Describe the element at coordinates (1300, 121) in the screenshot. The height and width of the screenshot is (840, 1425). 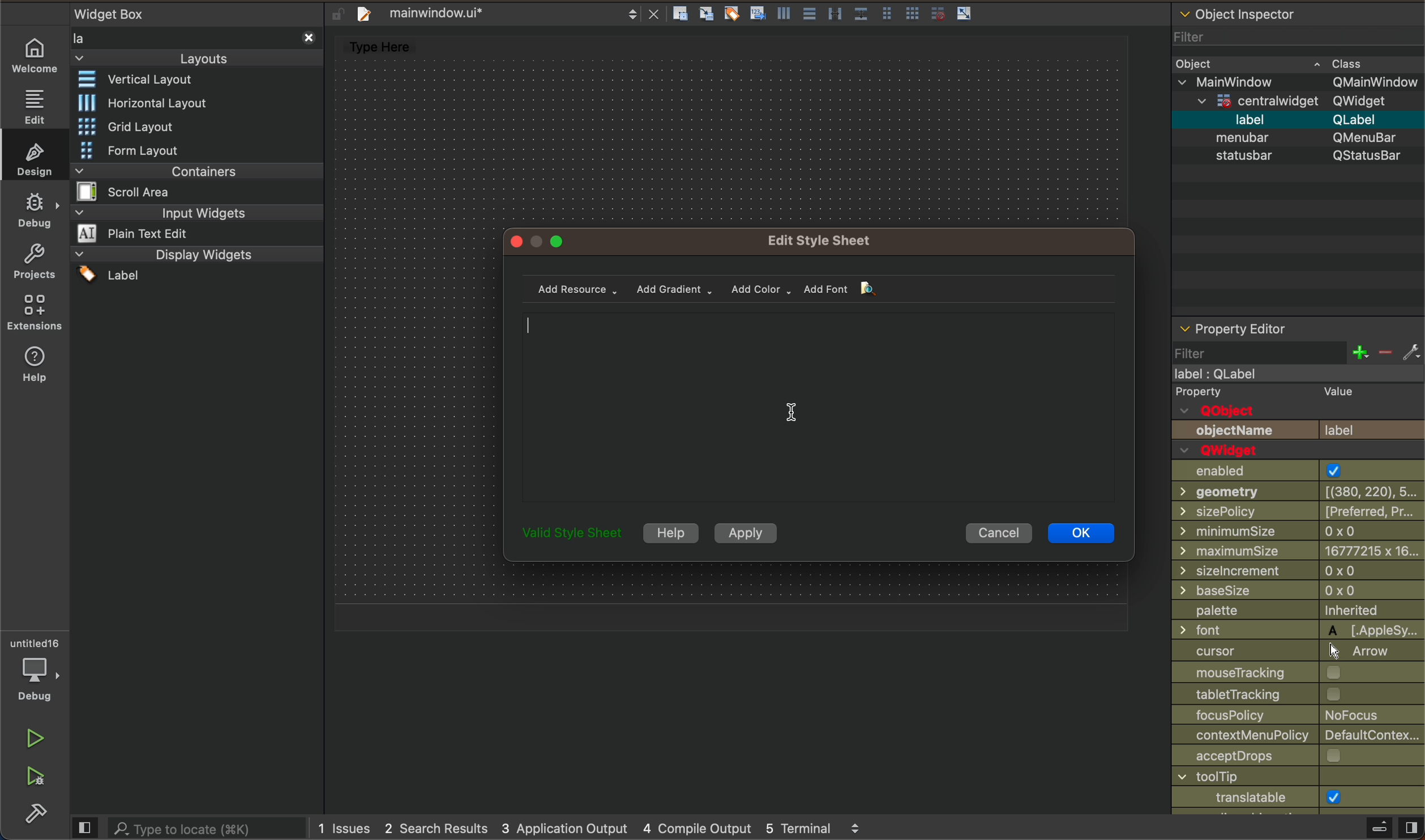
I see `label` at that location.